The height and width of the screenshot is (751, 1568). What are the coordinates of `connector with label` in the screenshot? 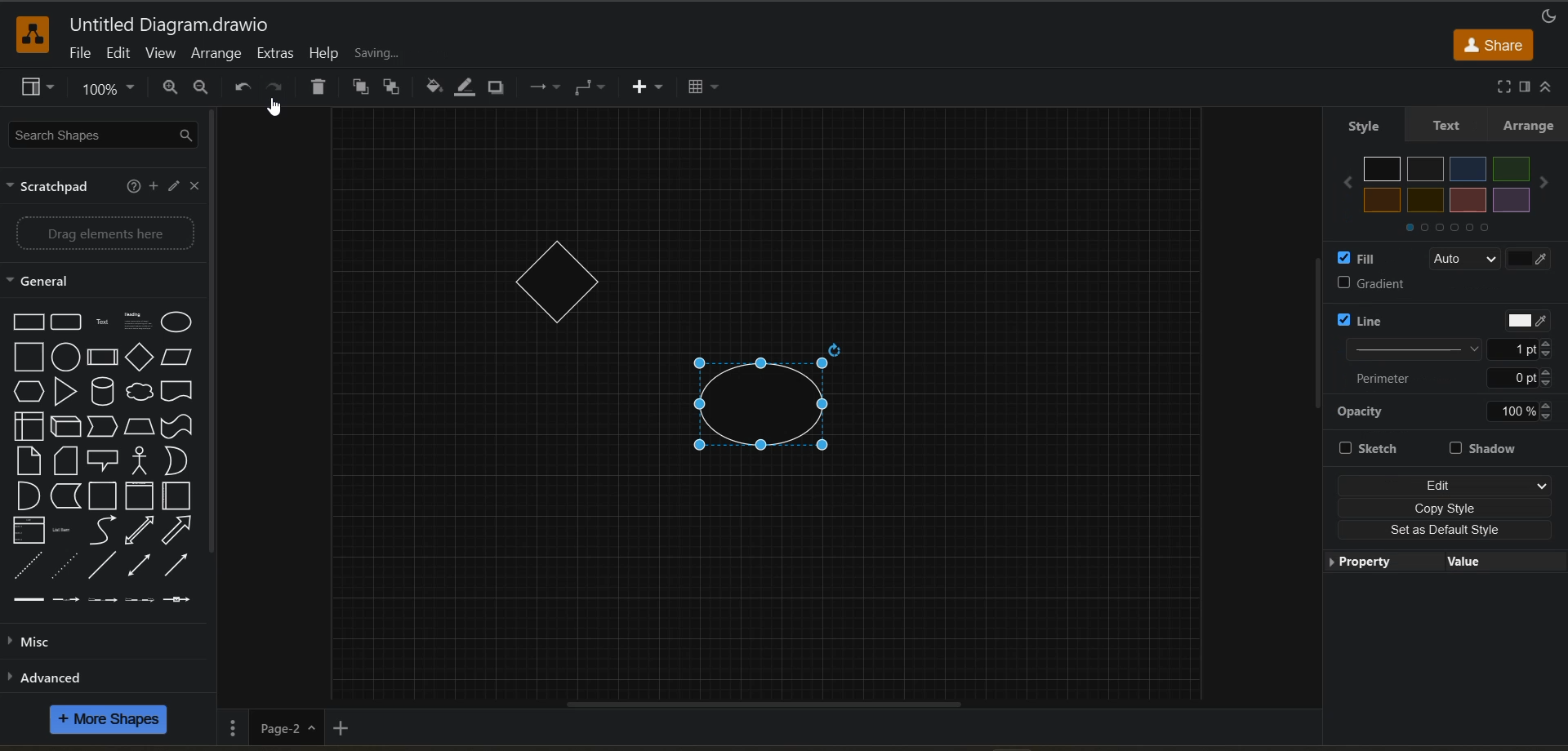 It's located at (66, 601).